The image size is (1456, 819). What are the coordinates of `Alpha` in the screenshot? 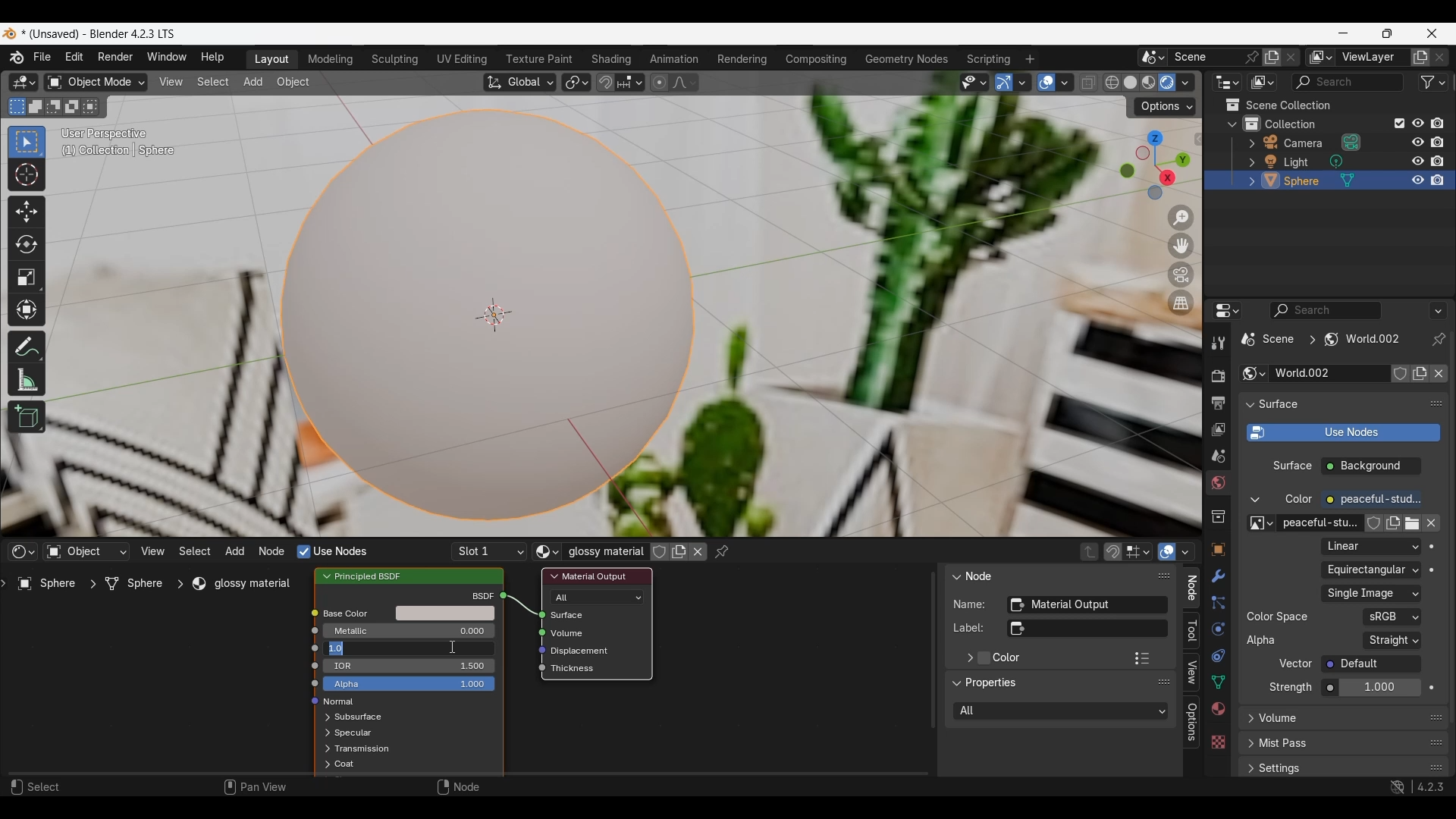 It's located at (1263, 640).